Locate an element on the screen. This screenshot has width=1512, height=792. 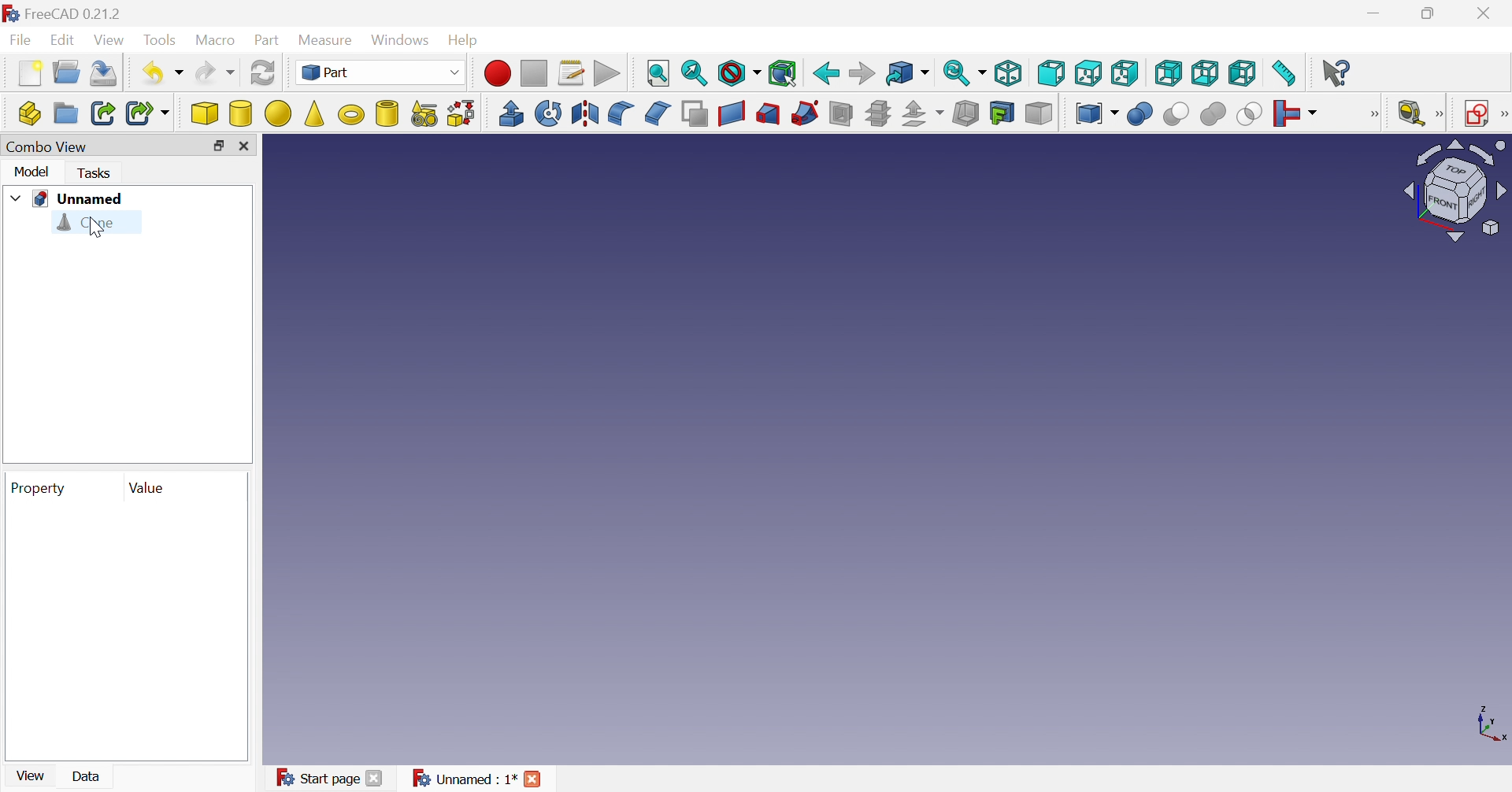
Pointer is located at coordinates (94, 228).